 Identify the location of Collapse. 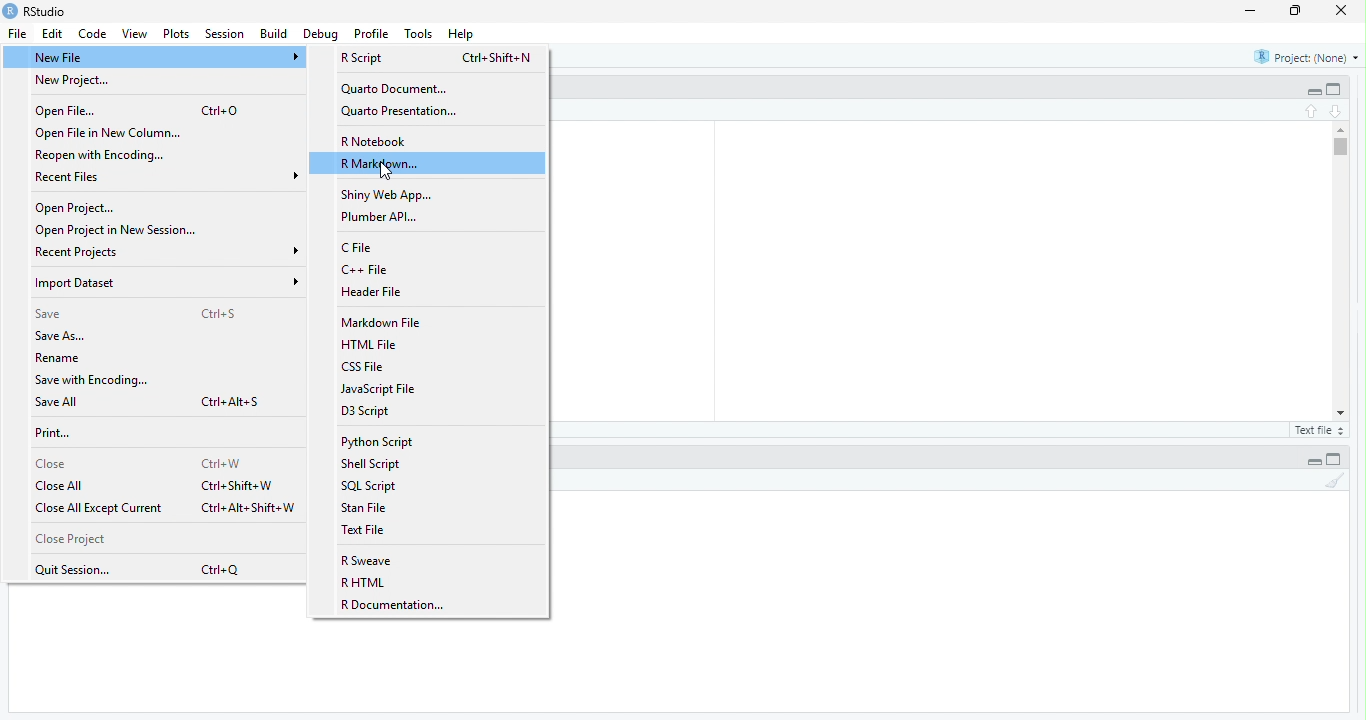
(1314, 92).